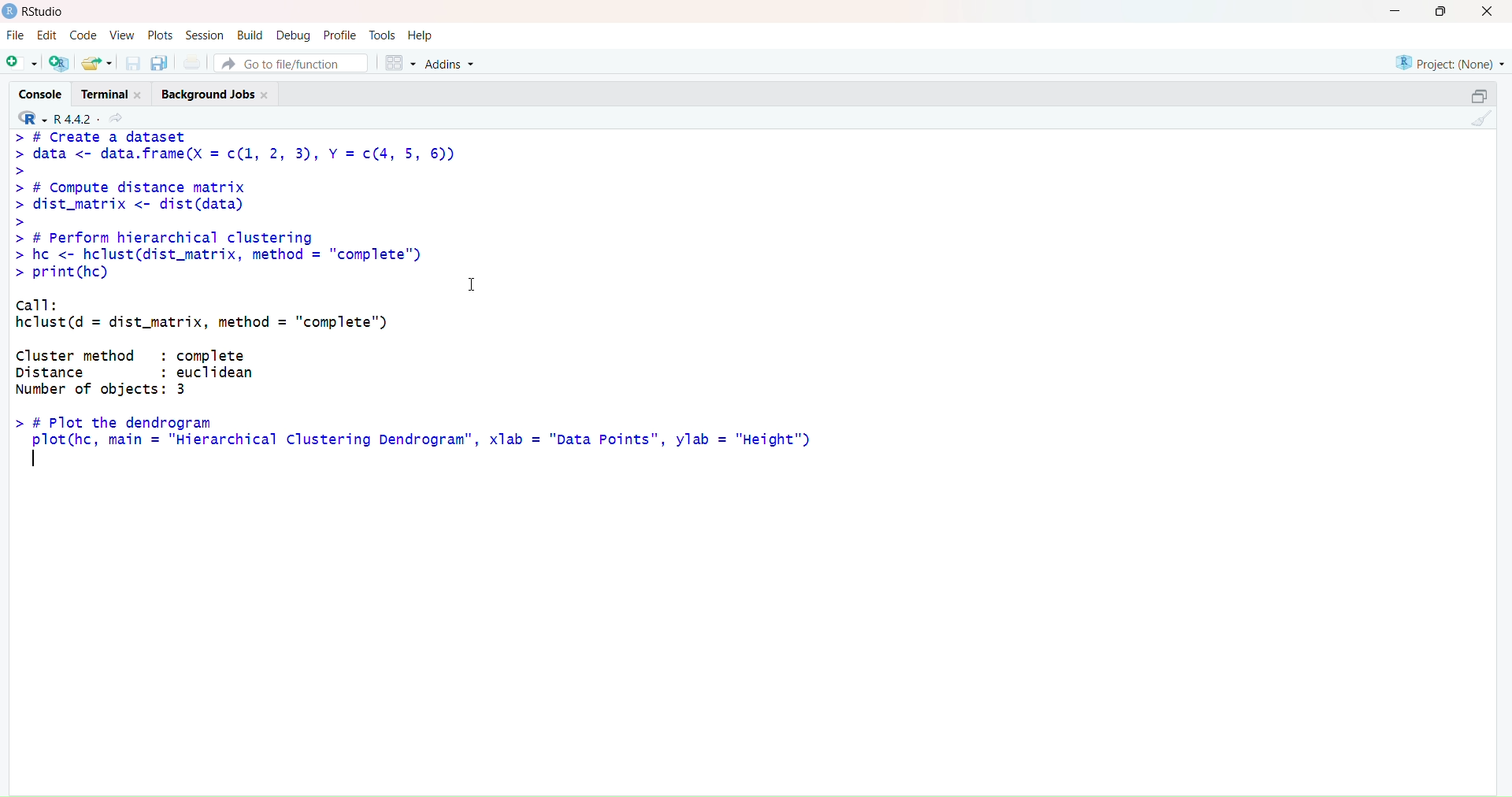  Describe the element at coordinates (1451, 61) in the screenshot. I see `Project (Note)` at that location.